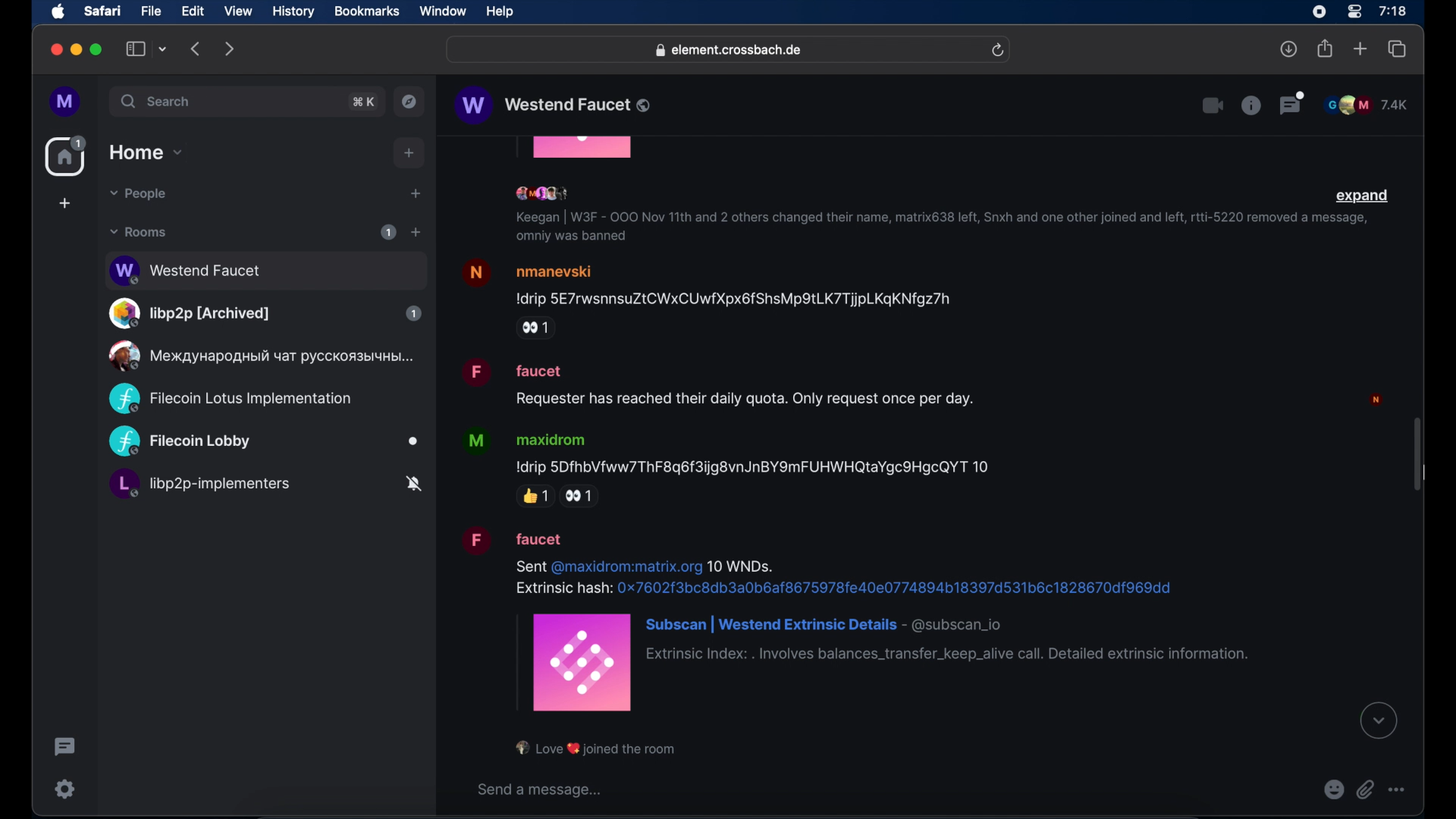 The height and width of the screenshot is (819, 1456). I want to click on threads, so click(1293, 103).